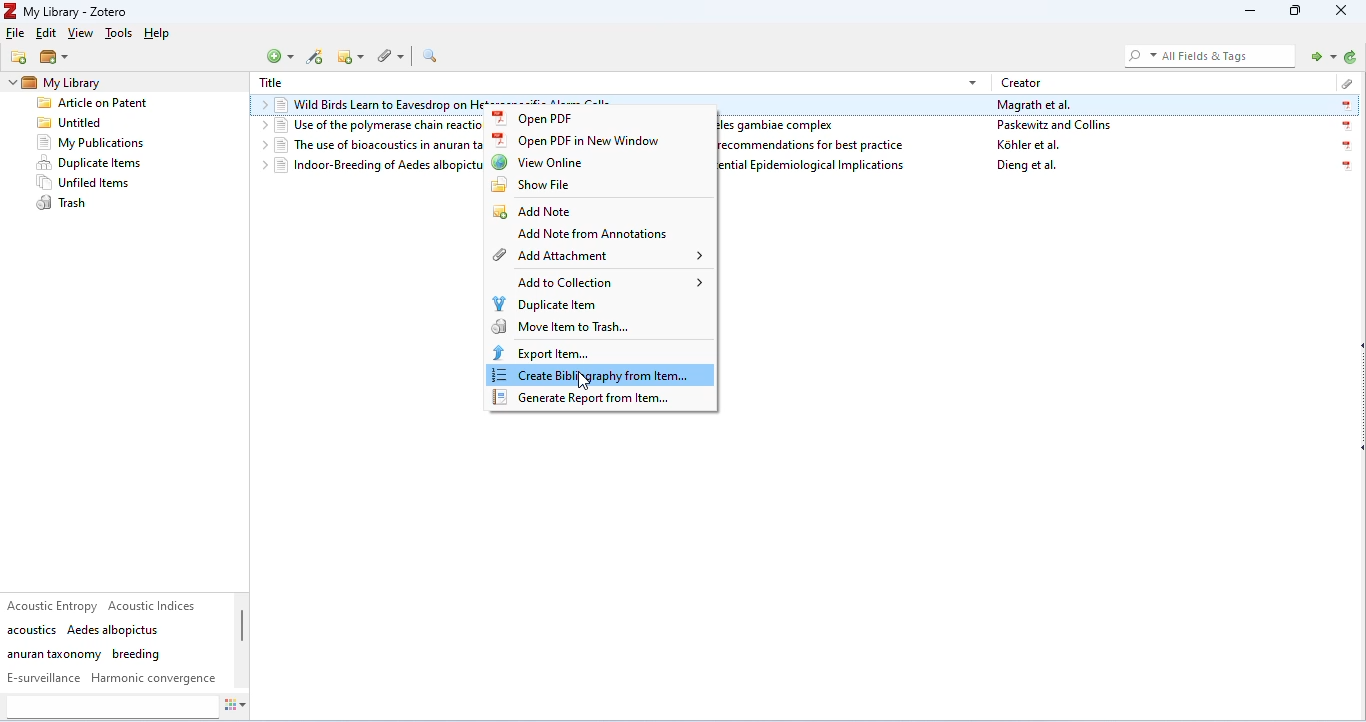 The width and height of the screenshot is (1366, 722). Describe the element at coordinates (1030, 145) in the screenshot. I see `Köhler et al.` at that location.